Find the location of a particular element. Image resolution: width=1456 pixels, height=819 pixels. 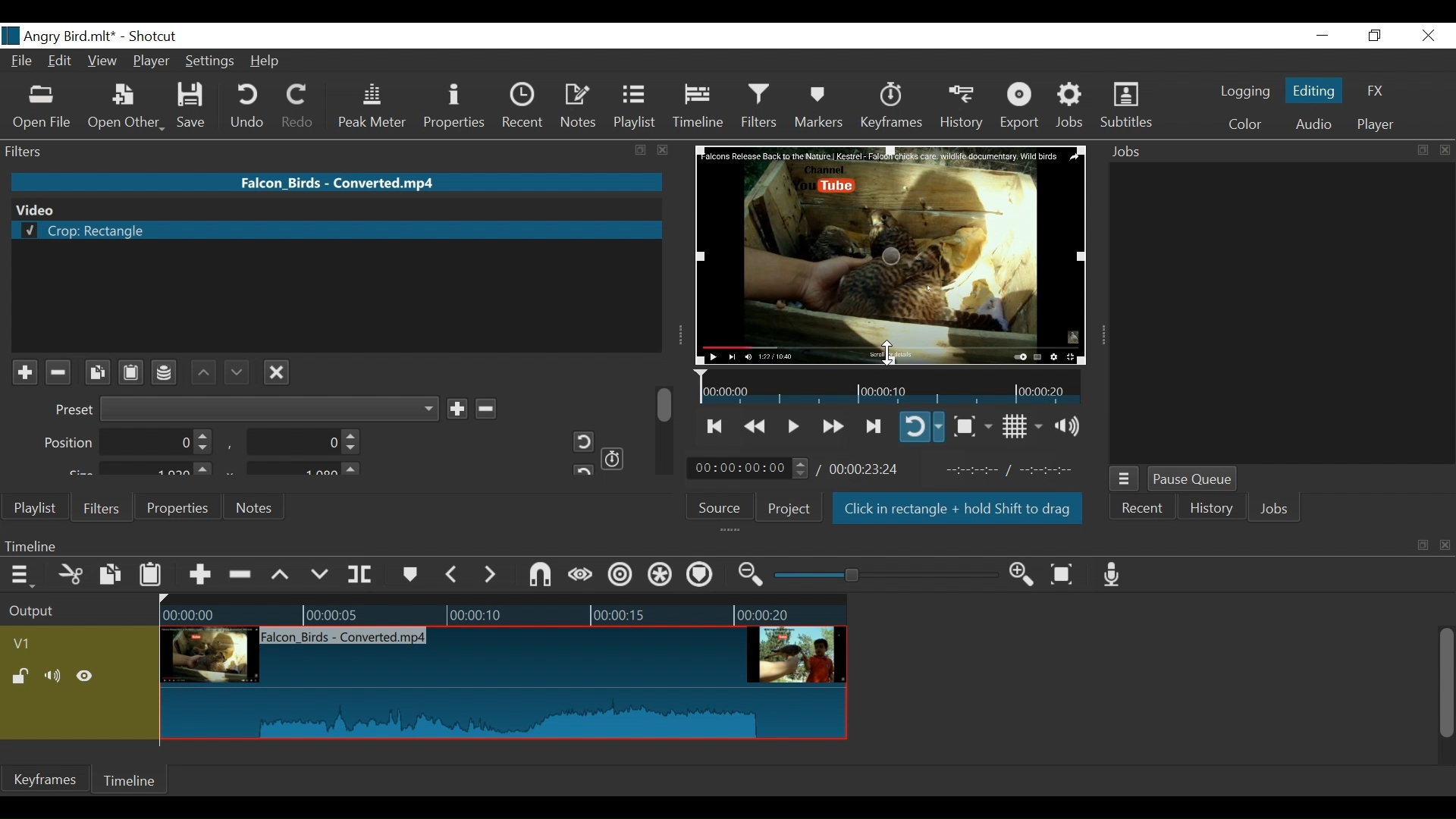

Redo is located at coordinates (299, 106).